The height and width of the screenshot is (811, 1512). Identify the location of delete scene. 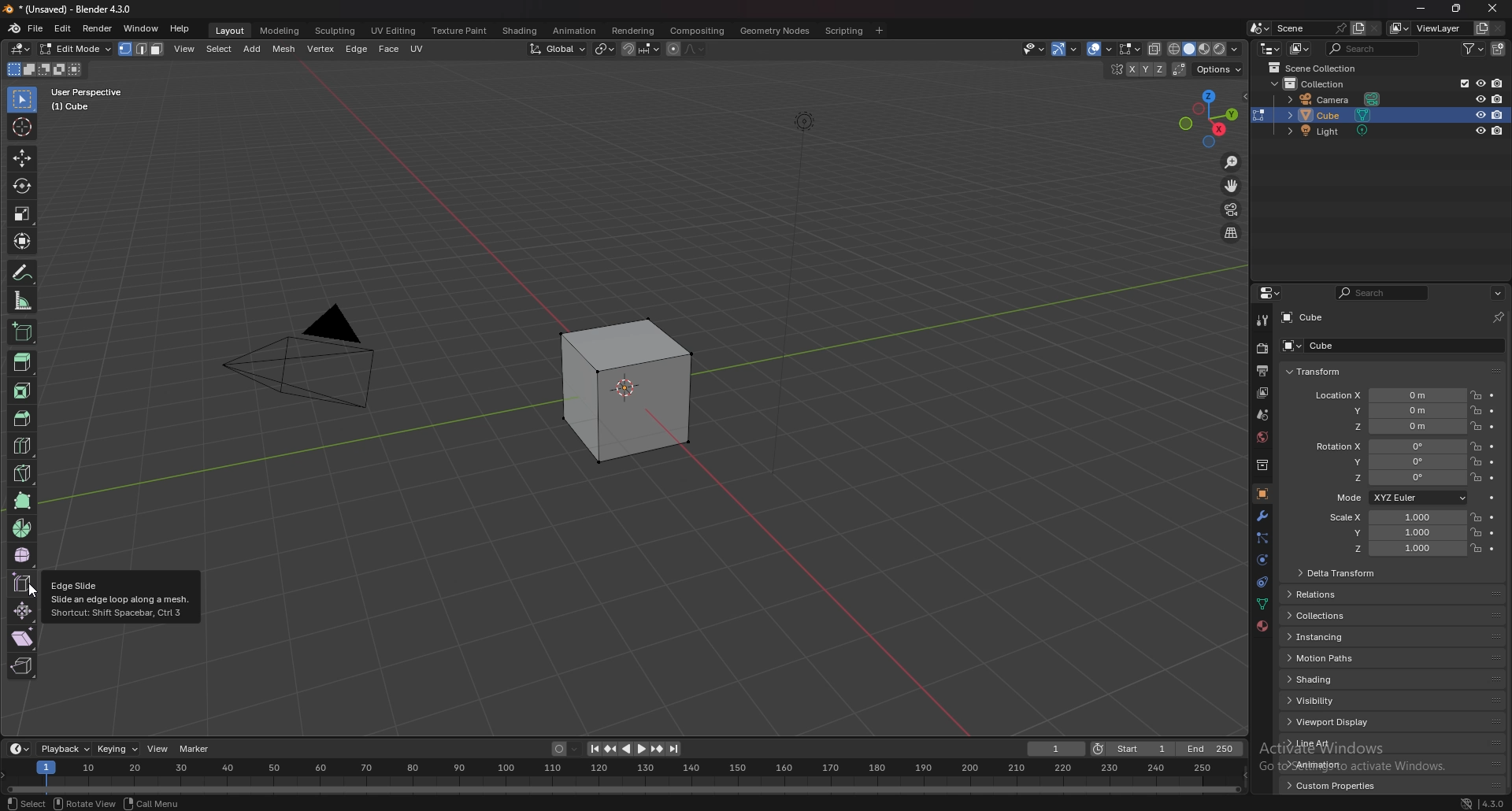
(1375, 29).